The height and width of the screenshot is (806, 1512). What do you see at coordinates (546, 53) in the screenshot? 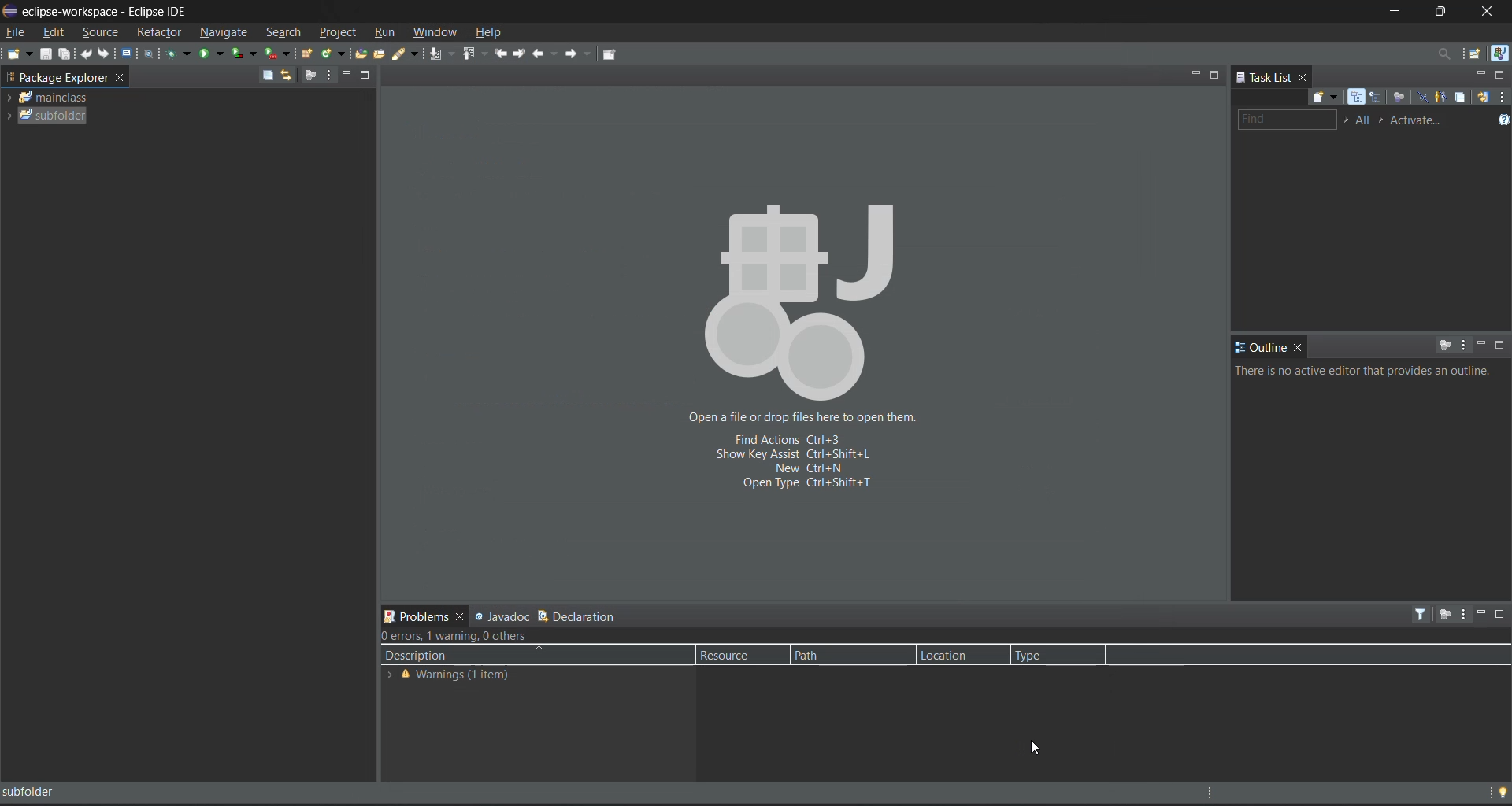
I see `back` at bounding box center [546, 53].